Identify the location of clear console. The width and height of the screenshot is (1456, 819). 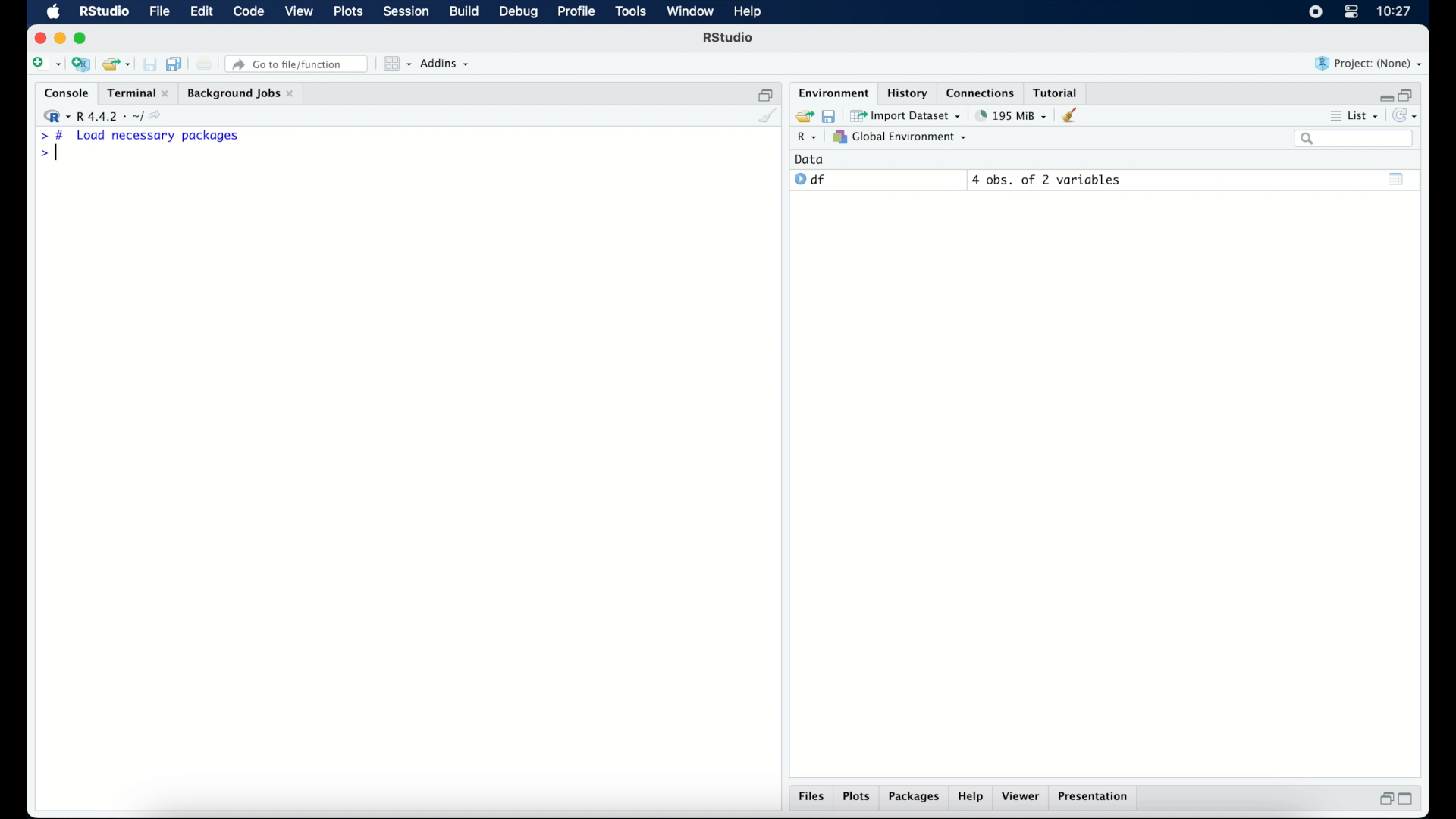
(766, 117).